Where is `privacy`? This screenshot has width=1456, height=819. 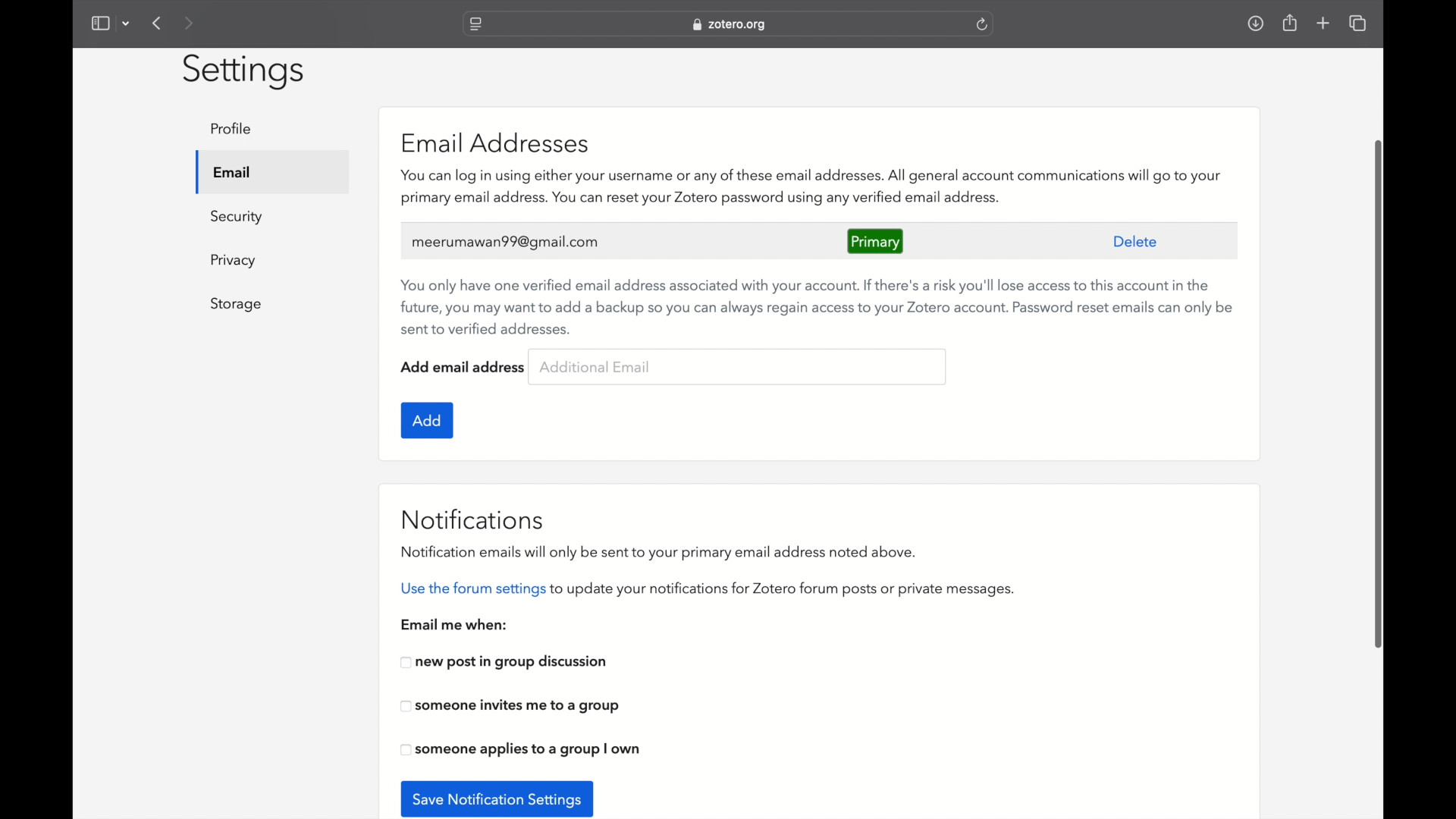
privacy is located at coordinates (235, 261).